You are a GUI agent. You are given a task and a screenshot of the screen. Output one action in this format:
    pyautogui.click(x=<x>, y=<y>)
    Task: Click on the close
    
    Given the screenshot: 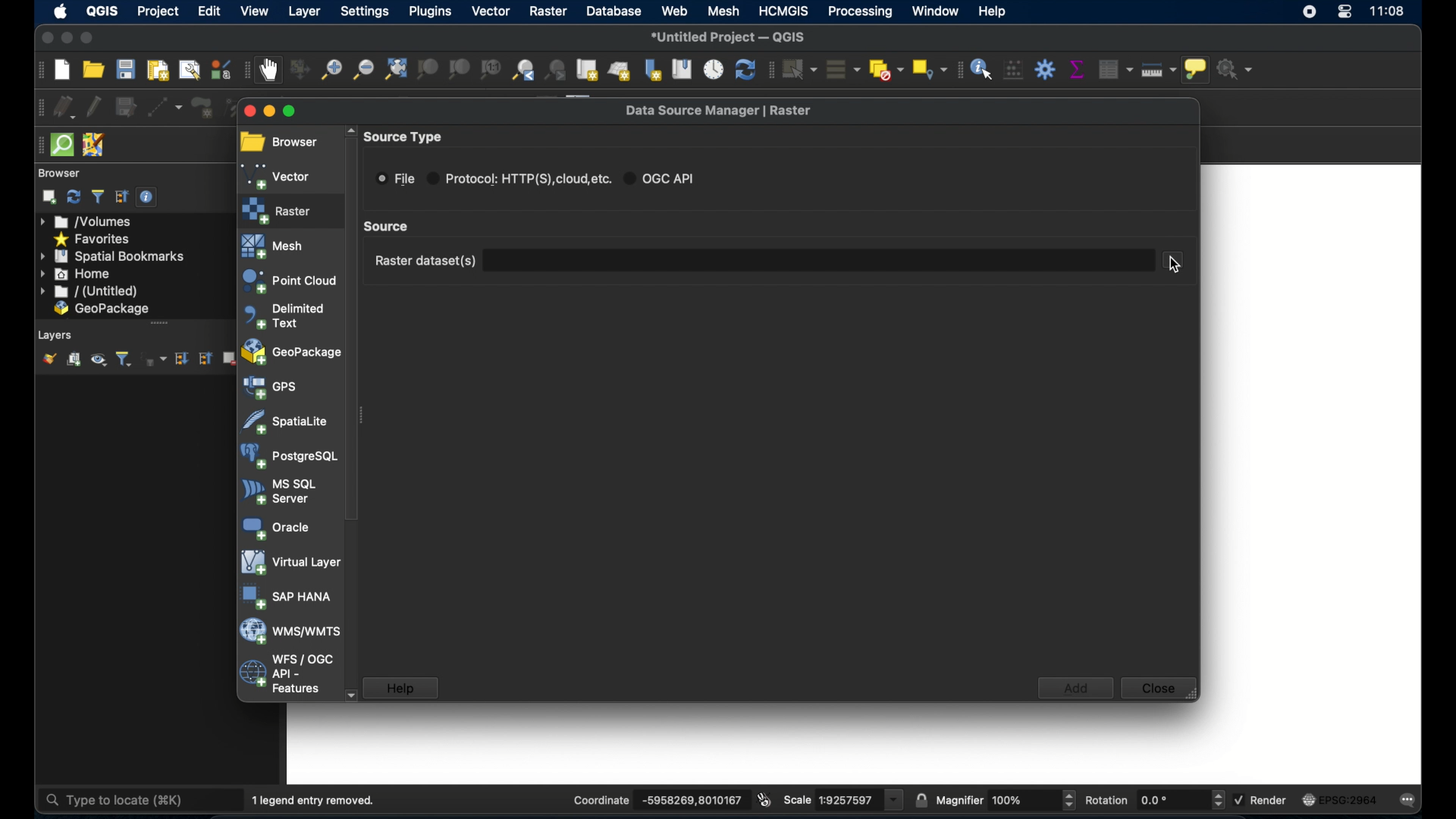 What is the action you would take?
    pyautogui.click(x=247, y=111)
    